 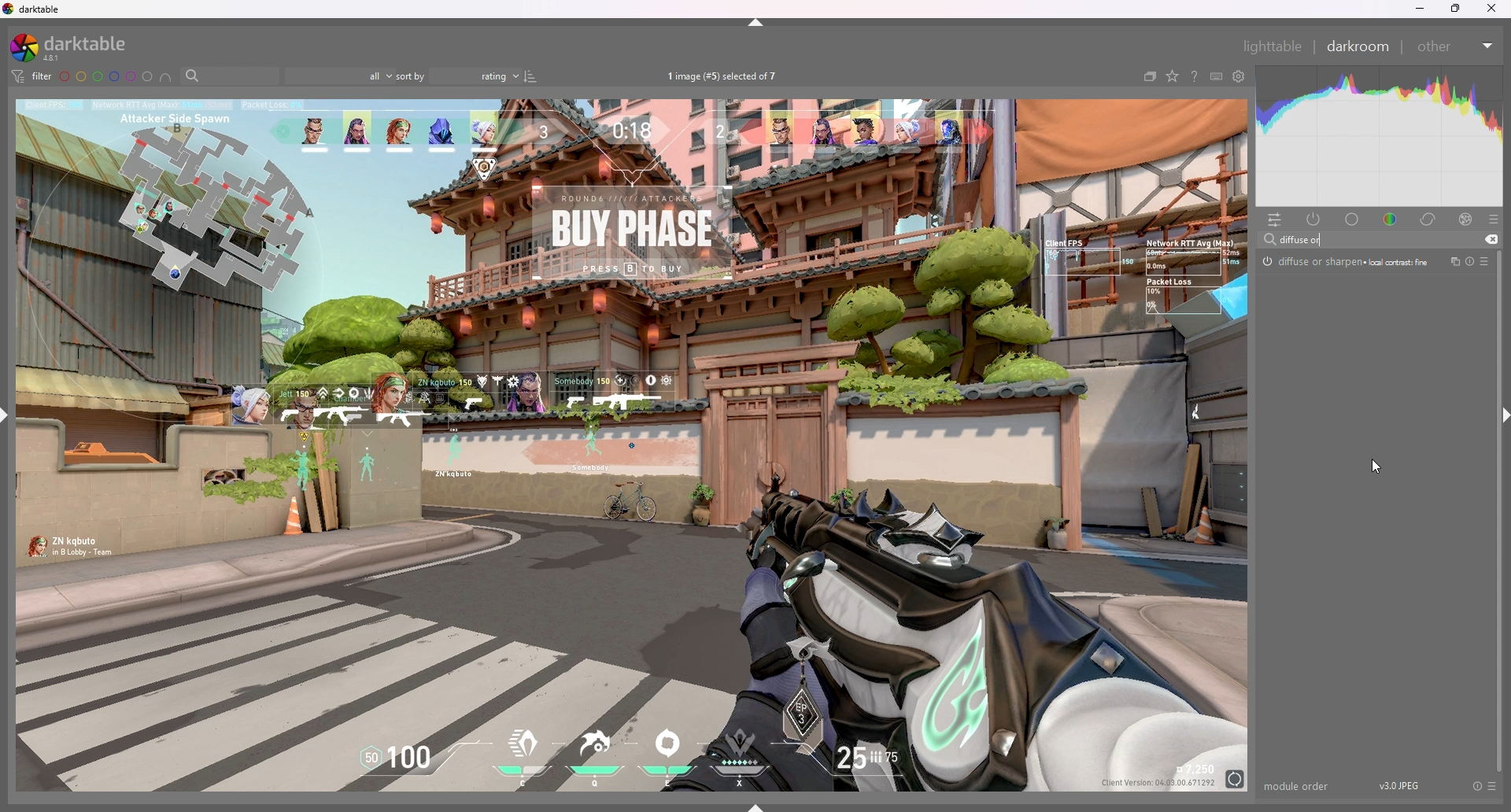 What do you see at coordinates (1476, 786) in the screenshot?
I see `reset` at bounding box center [1476, 786].